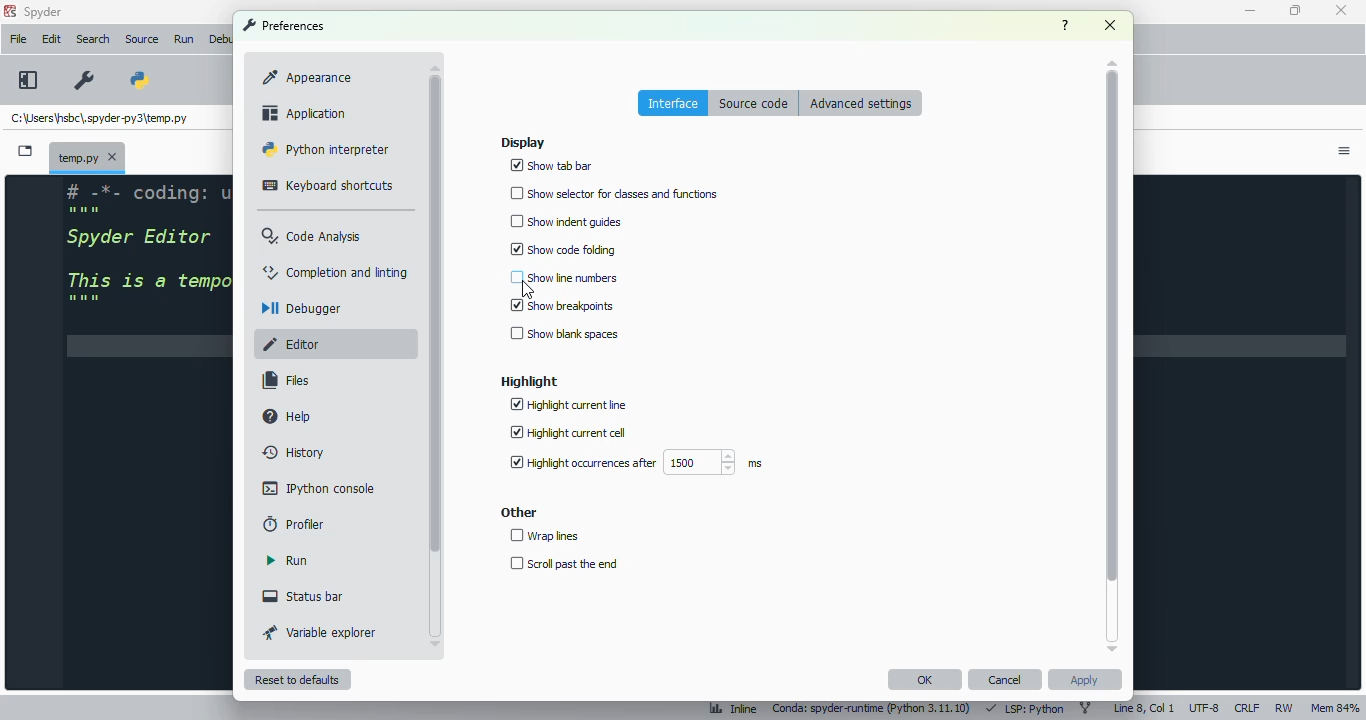  Describe the element at coordinates (563, 248) in the screenshot. I see `show code folding` at that location.